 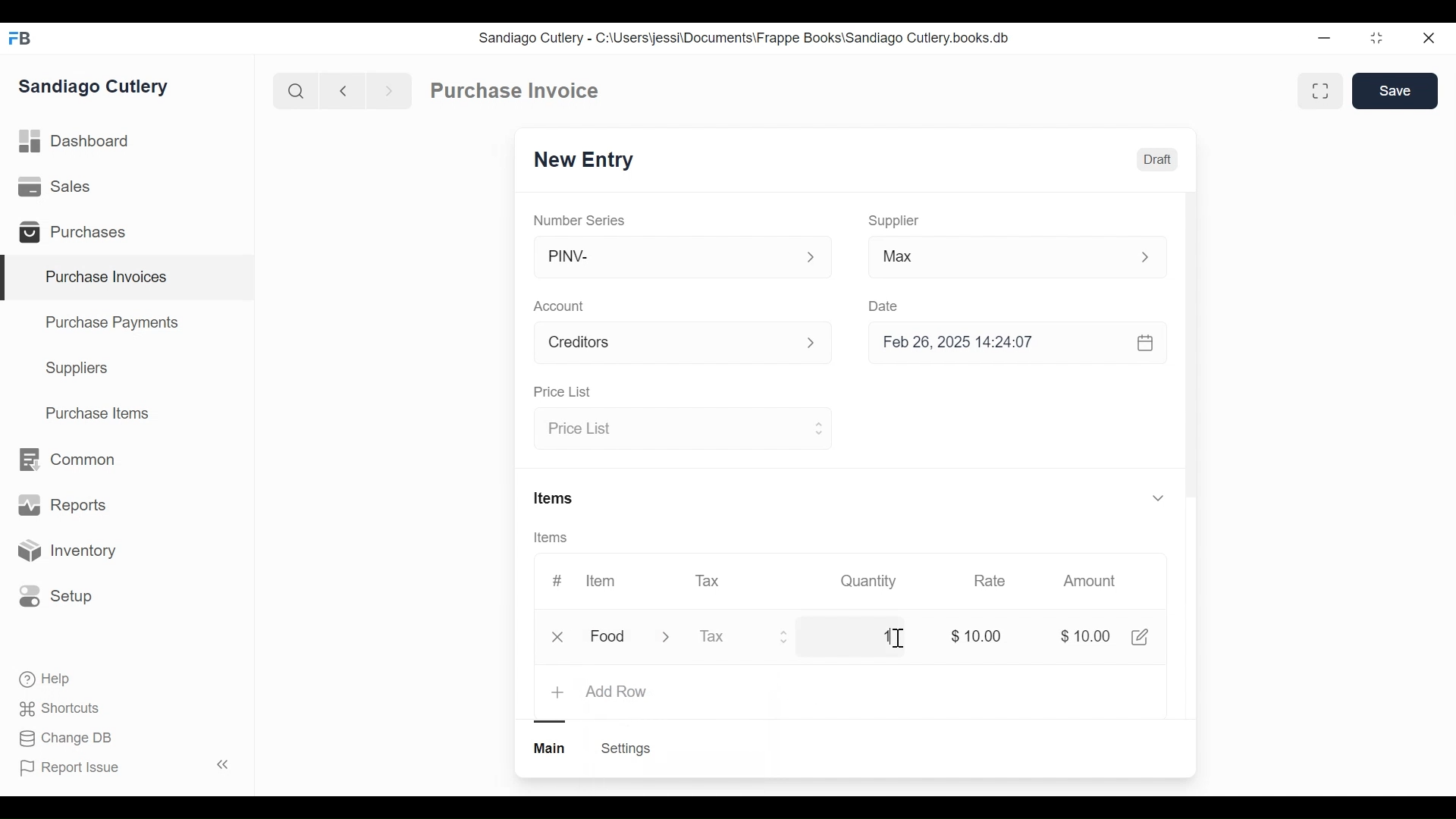 What do you see at coordinates (62, 508) in the screenshot?
I see `Reports` at bounding box center [62, 508].